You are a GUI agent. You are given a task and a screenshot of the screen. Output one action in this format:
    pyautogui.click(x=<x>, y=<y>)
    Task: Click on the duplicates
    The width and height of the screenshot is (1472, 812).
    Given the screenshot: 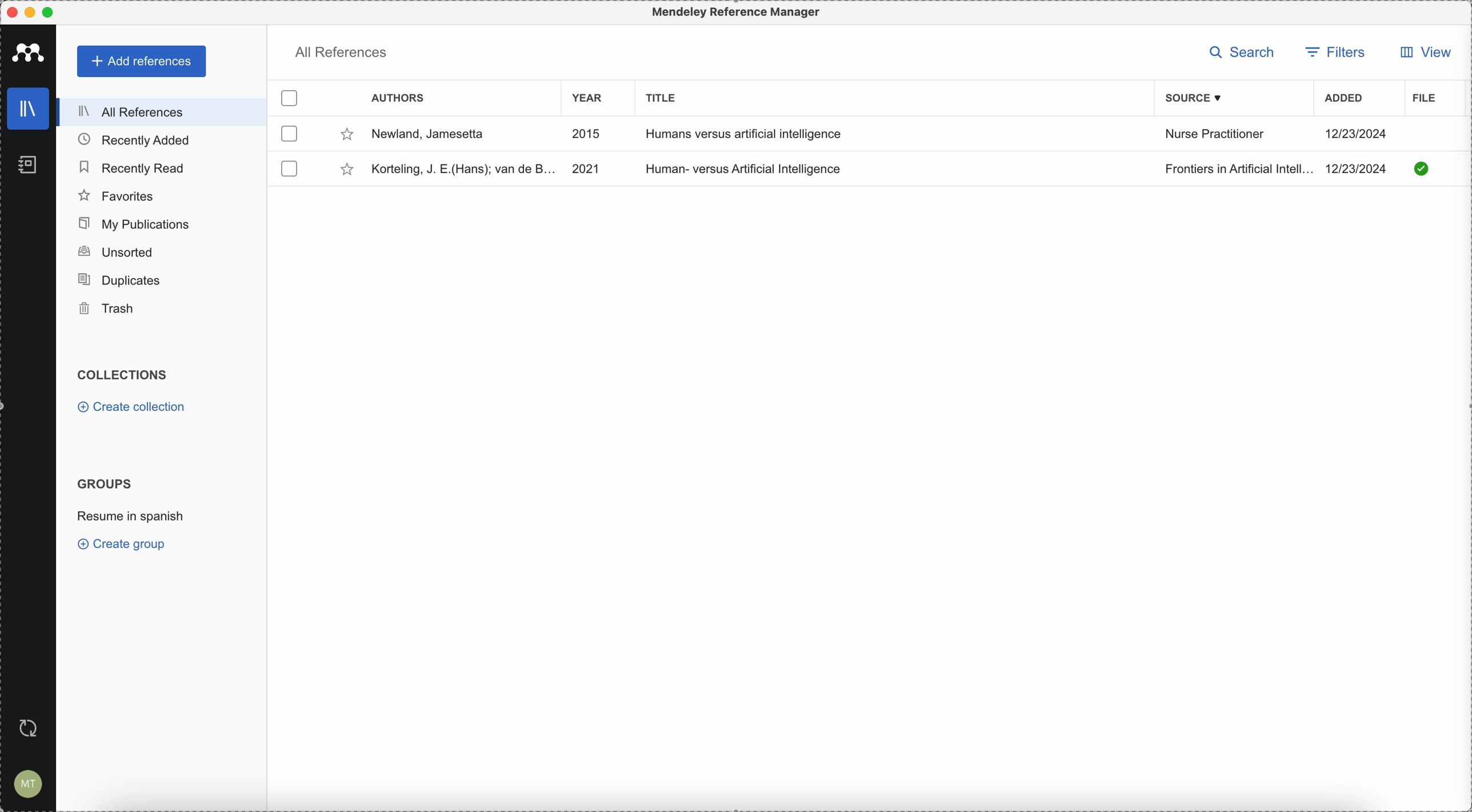 What is the action you would take?
    pyautogui.click(x=126, y=279)
    